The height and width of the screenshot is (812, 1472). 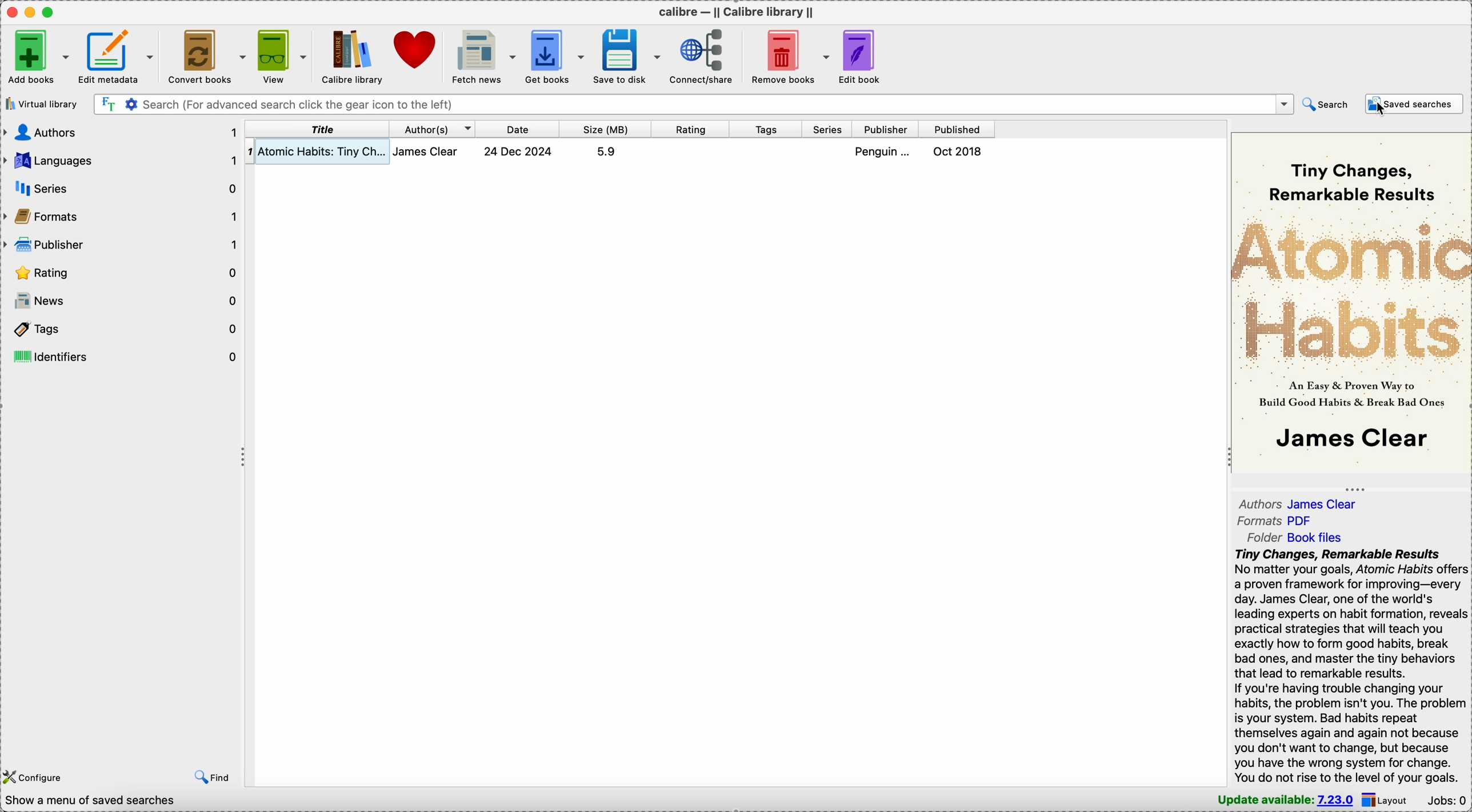 What do you see at coordinates (767, 130) in the screenshot?
I see `tags` at bounding box center [767, 130].